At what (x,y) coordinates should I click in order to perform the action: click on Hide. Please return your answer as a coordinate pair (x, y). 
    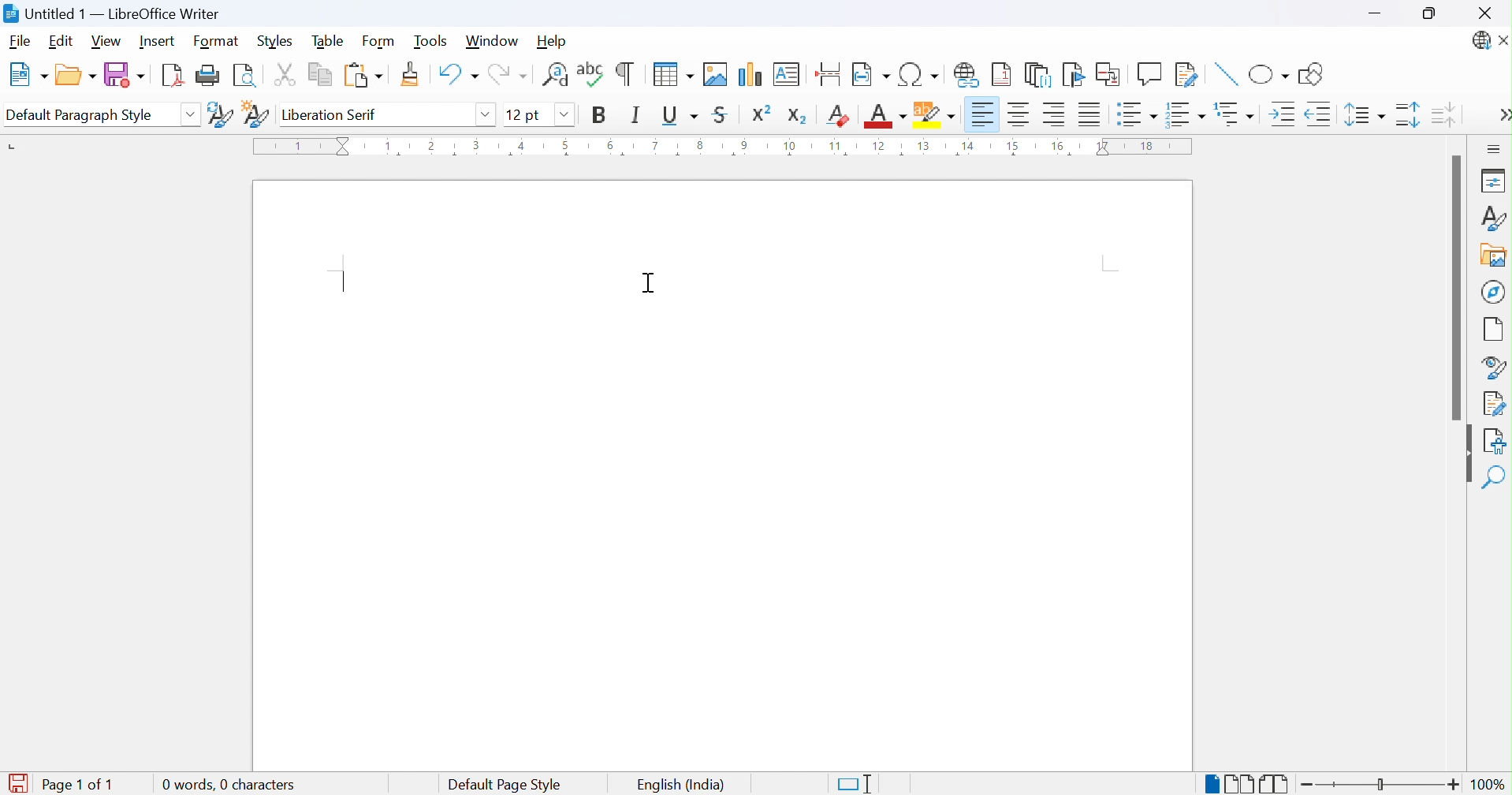
    Looking at the image, I should click on (1468, 454).